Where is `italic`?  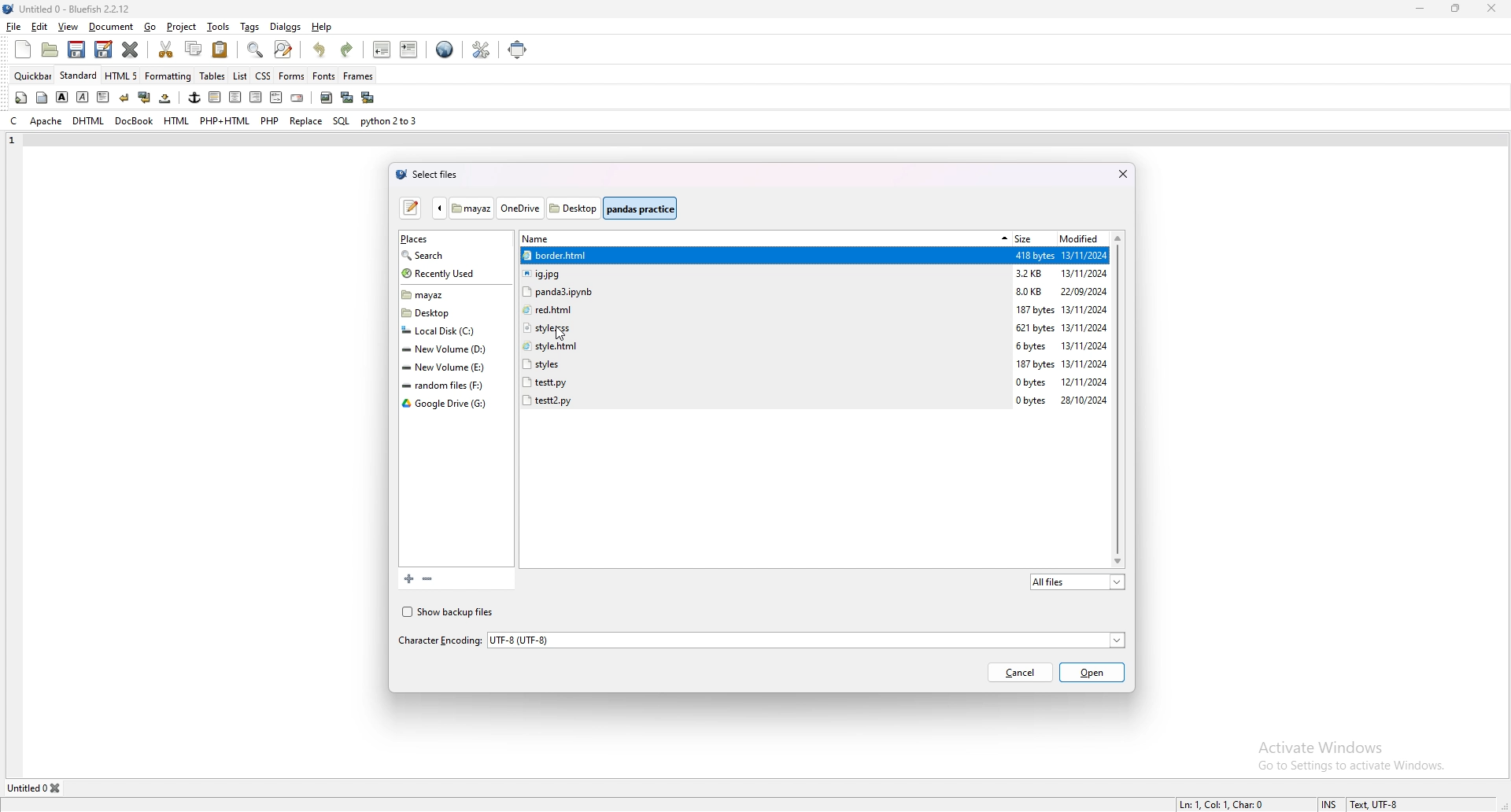
italic is located at coordinates (83, 98).